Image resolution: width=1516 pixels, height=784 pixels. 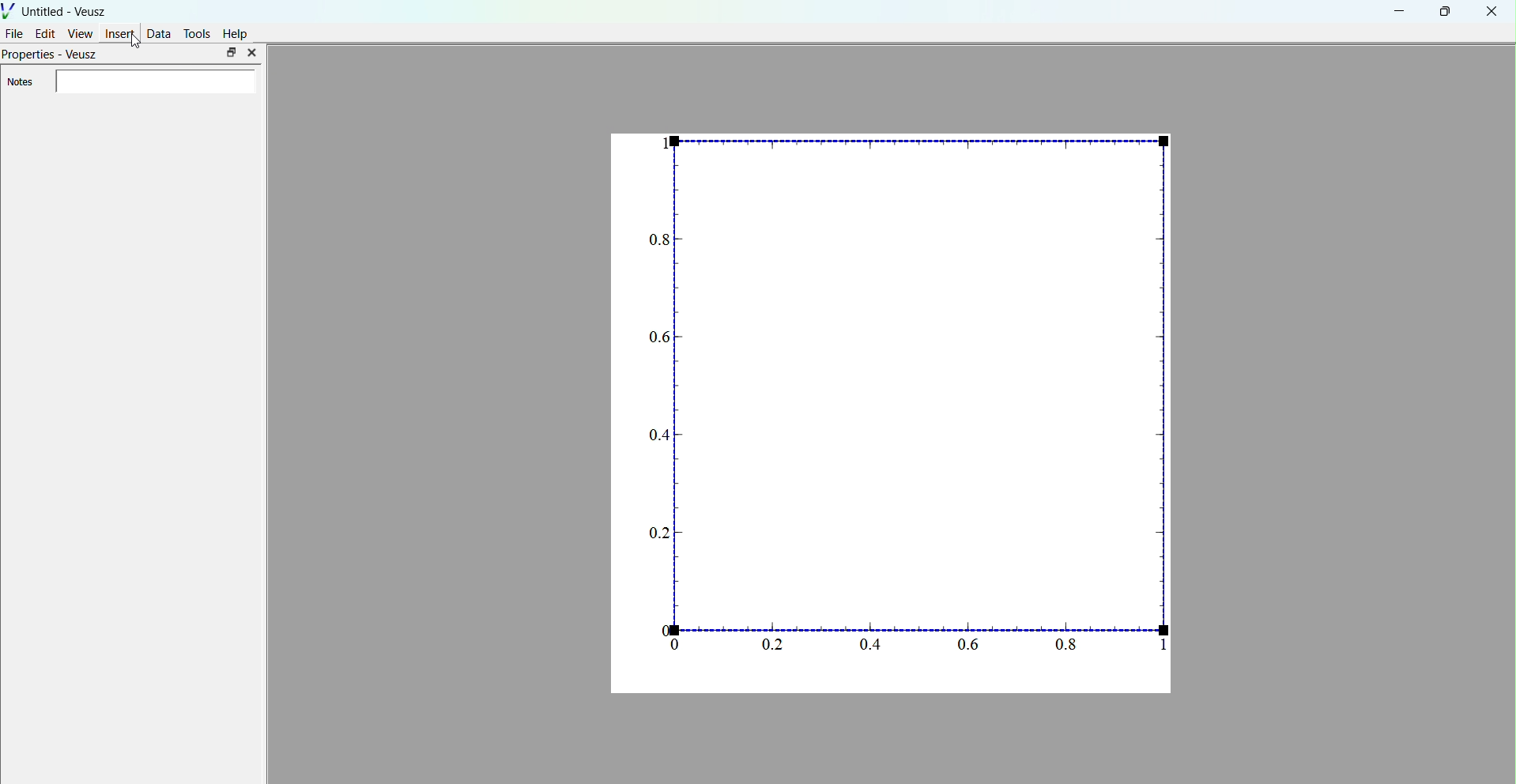 What do you see at coordinates (120, 33) in the screenshot?
I see `Insert` at bounding box center [120, 33].